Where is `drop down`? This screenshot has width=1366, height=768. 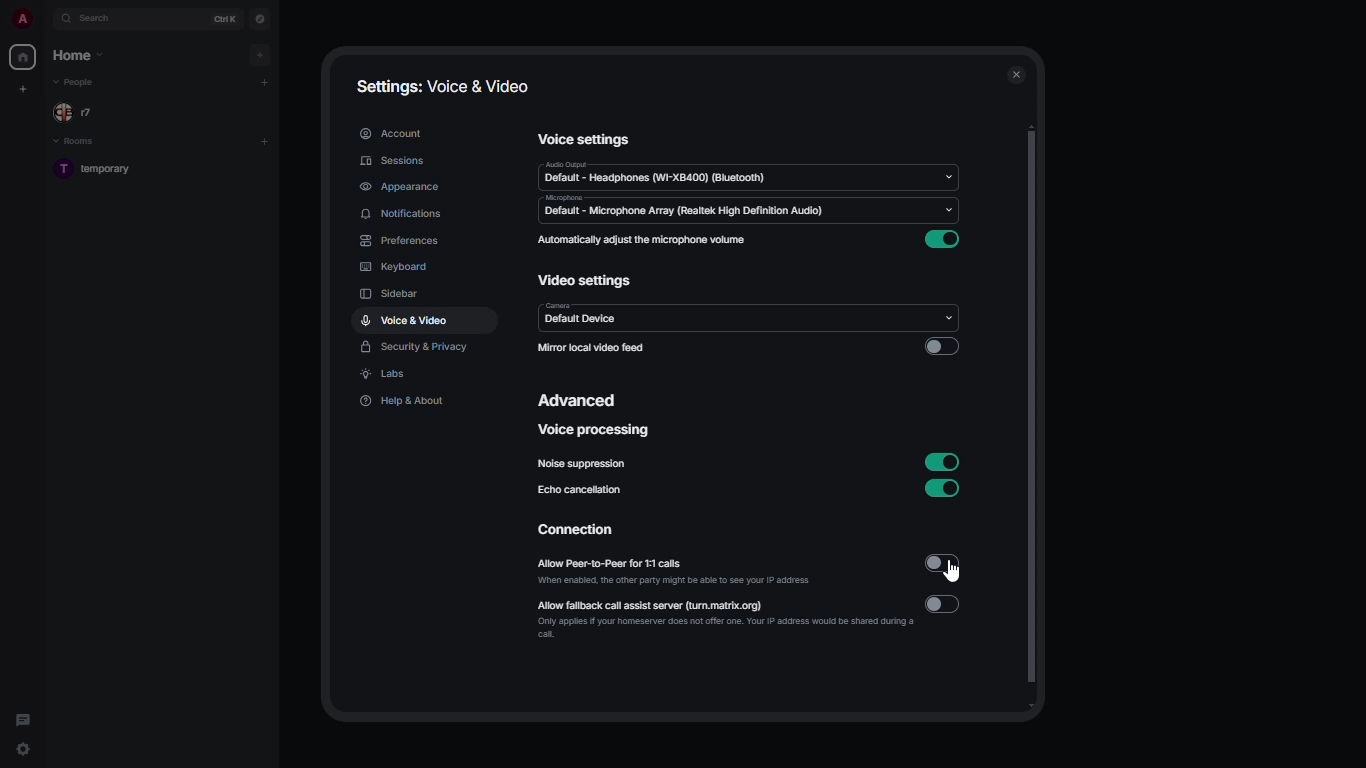 drop down is located at coordinates (945, 315).